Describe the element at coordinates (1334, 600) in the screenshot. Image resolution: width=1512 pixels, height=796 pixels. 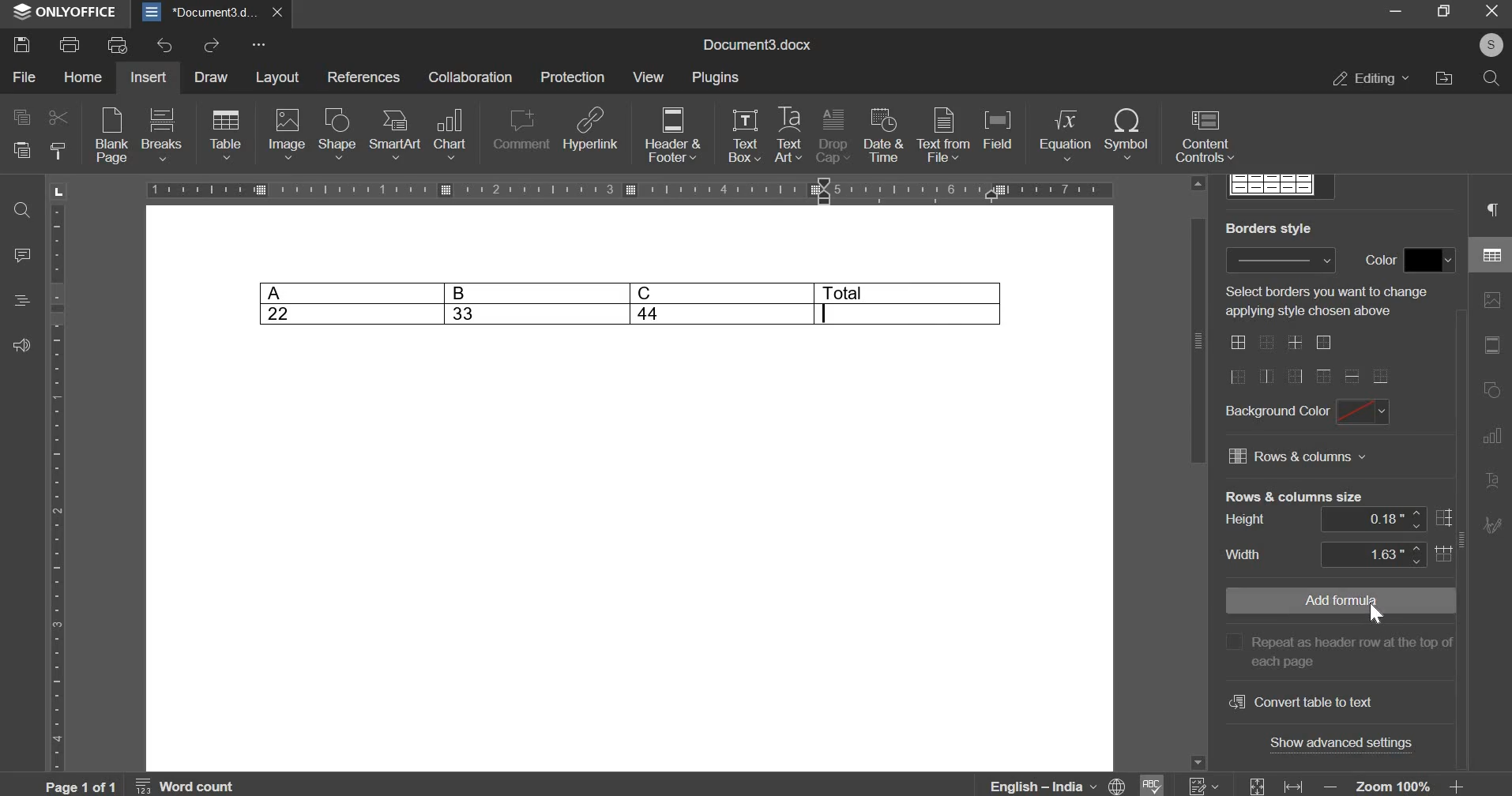
I see `add formula` at that location.